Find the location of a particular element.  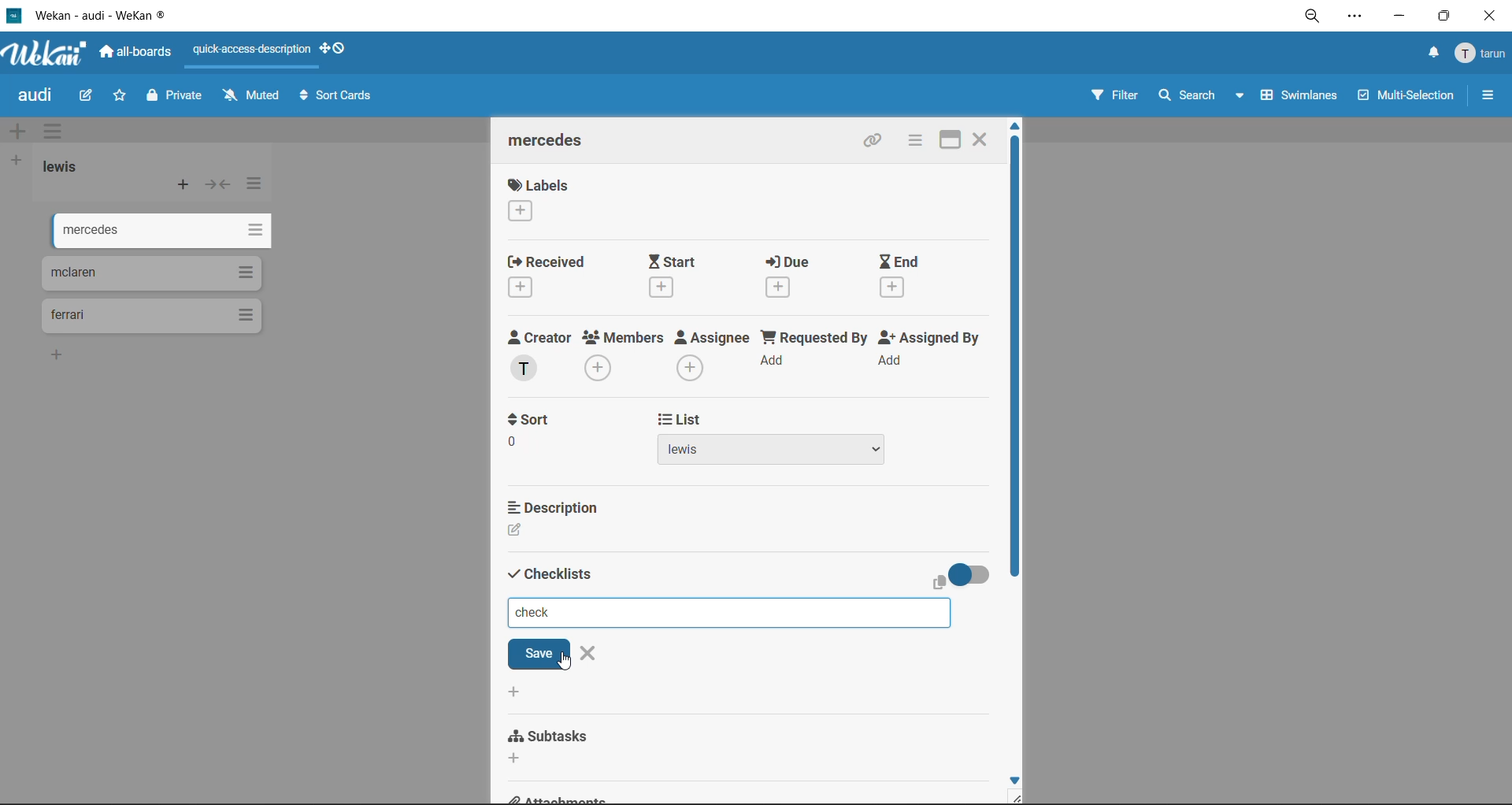

add swimlane is located at coordinates (17, 132).